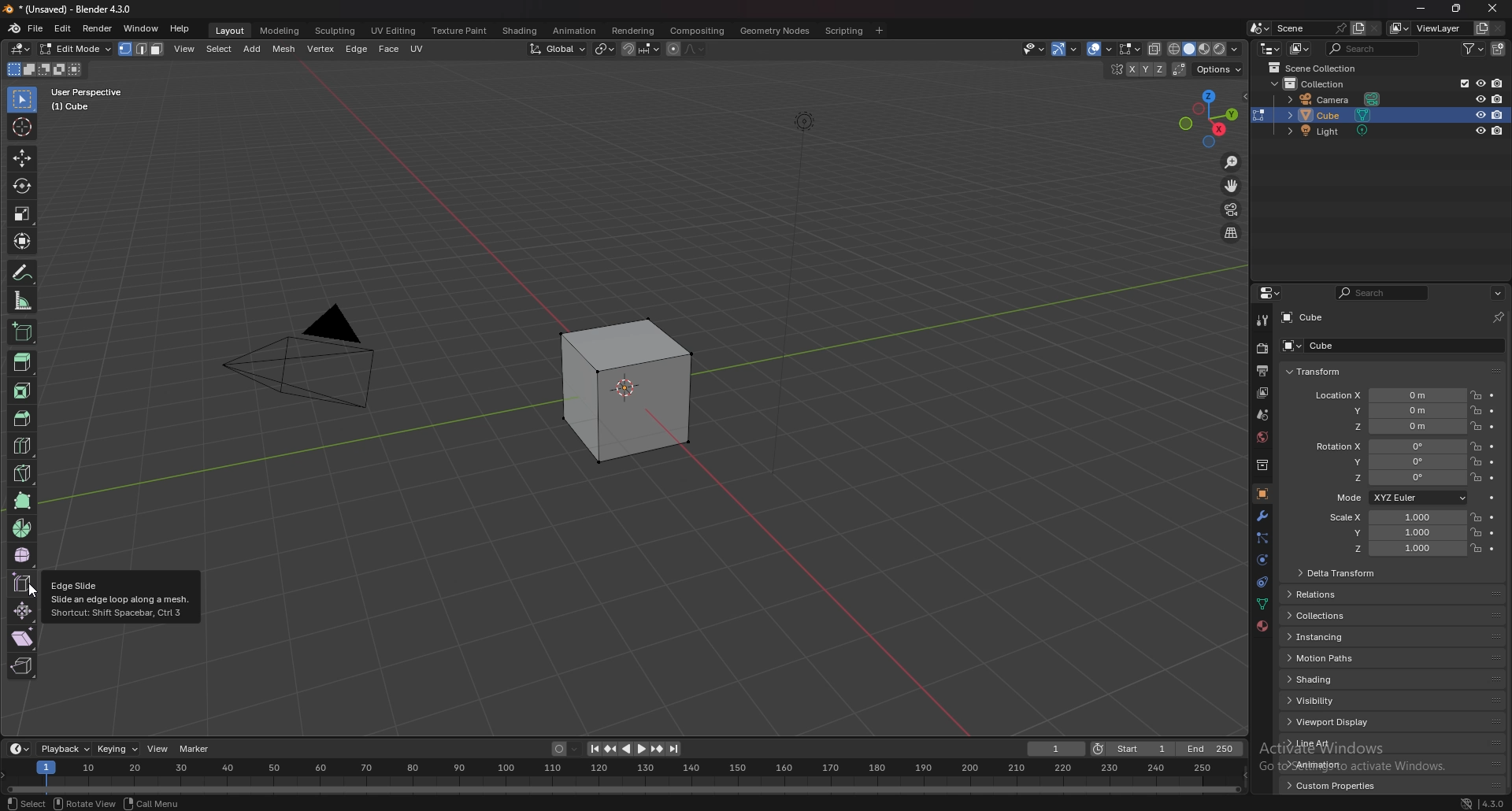  What do you see at coordinates (1392, 463) in the screenshot?
I see `rotation y` at bounding box center [1392, 463].